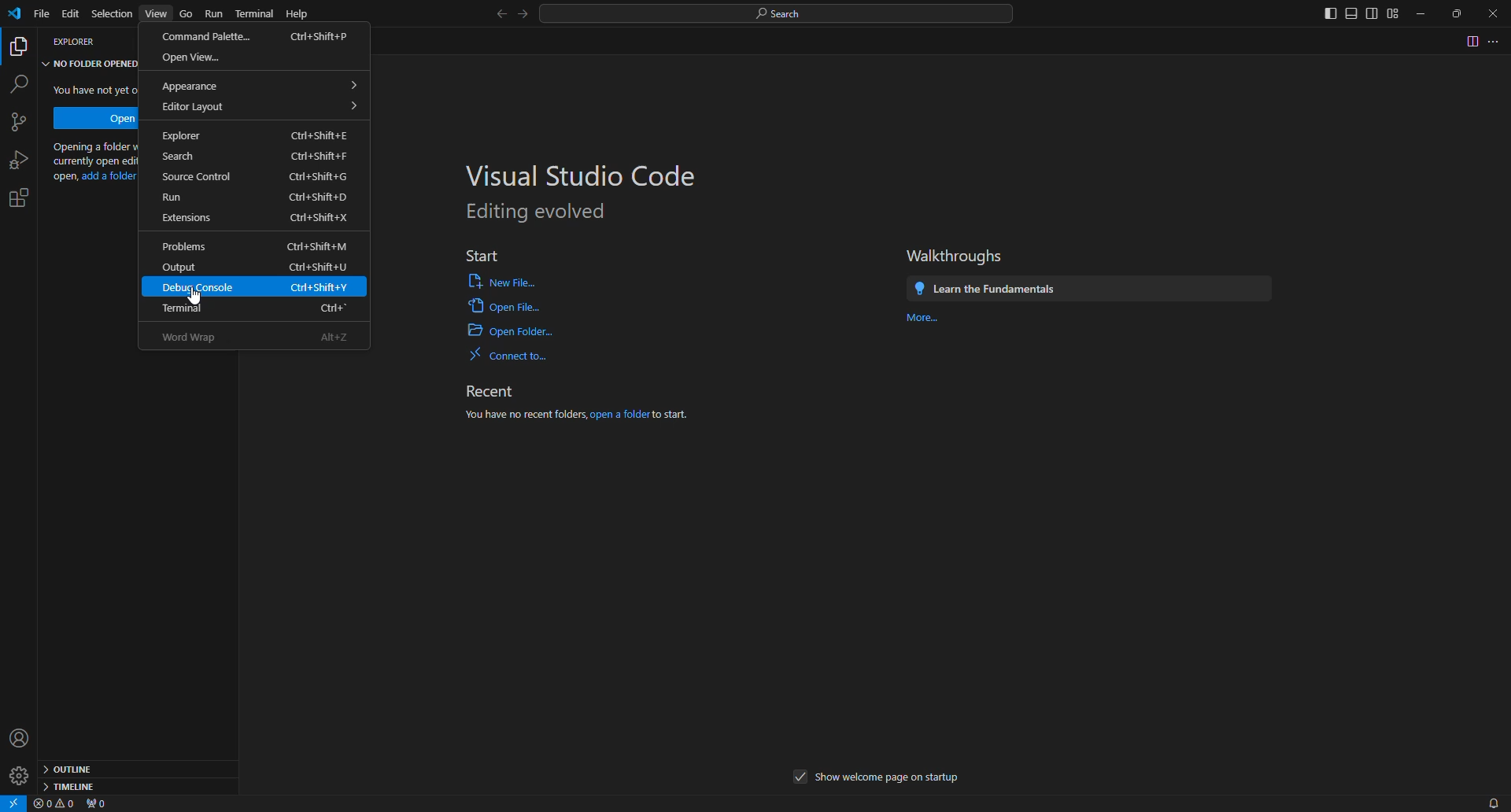 The width and height of the screenshot is (1511, 812). What do you see at coordinates (1460, 12) in the screenshot?
I see `restore down` at bounding box center [1460, 12].